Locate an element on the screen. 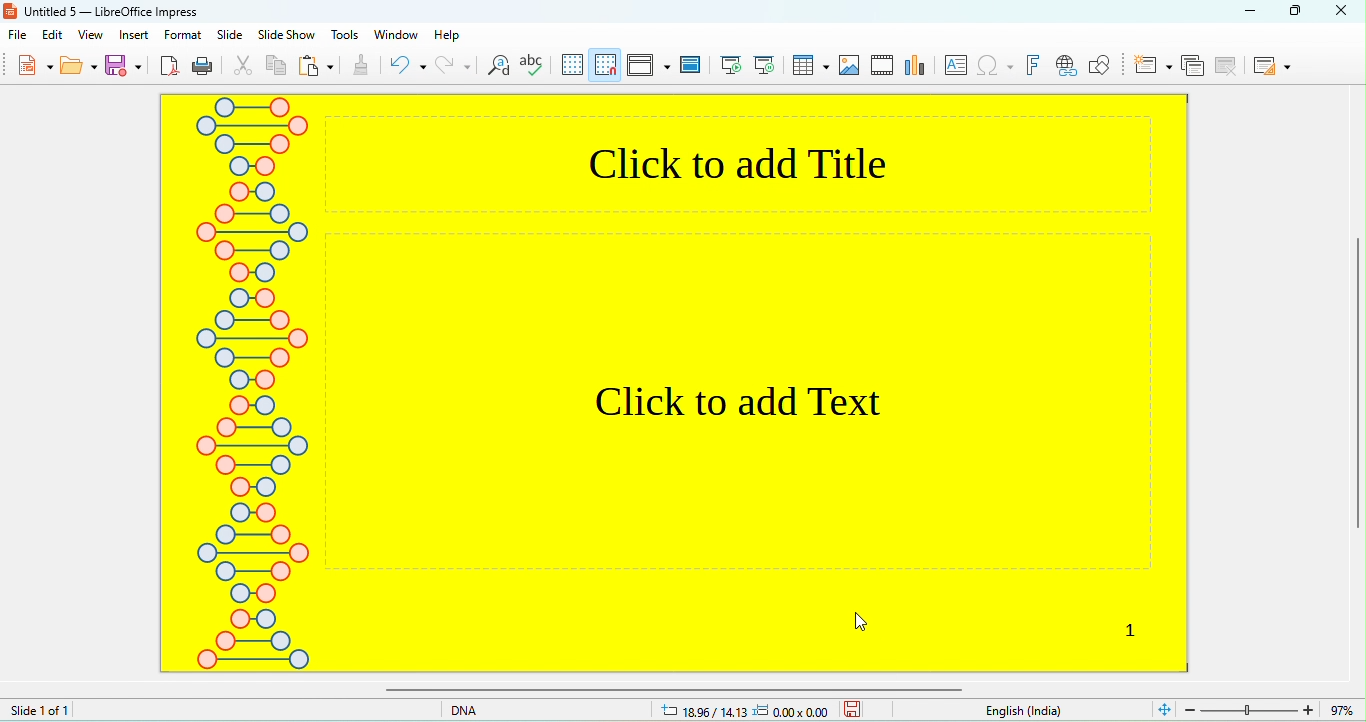 This screenshot has width=1366, height=722. save is located at coordinates (126, 65).